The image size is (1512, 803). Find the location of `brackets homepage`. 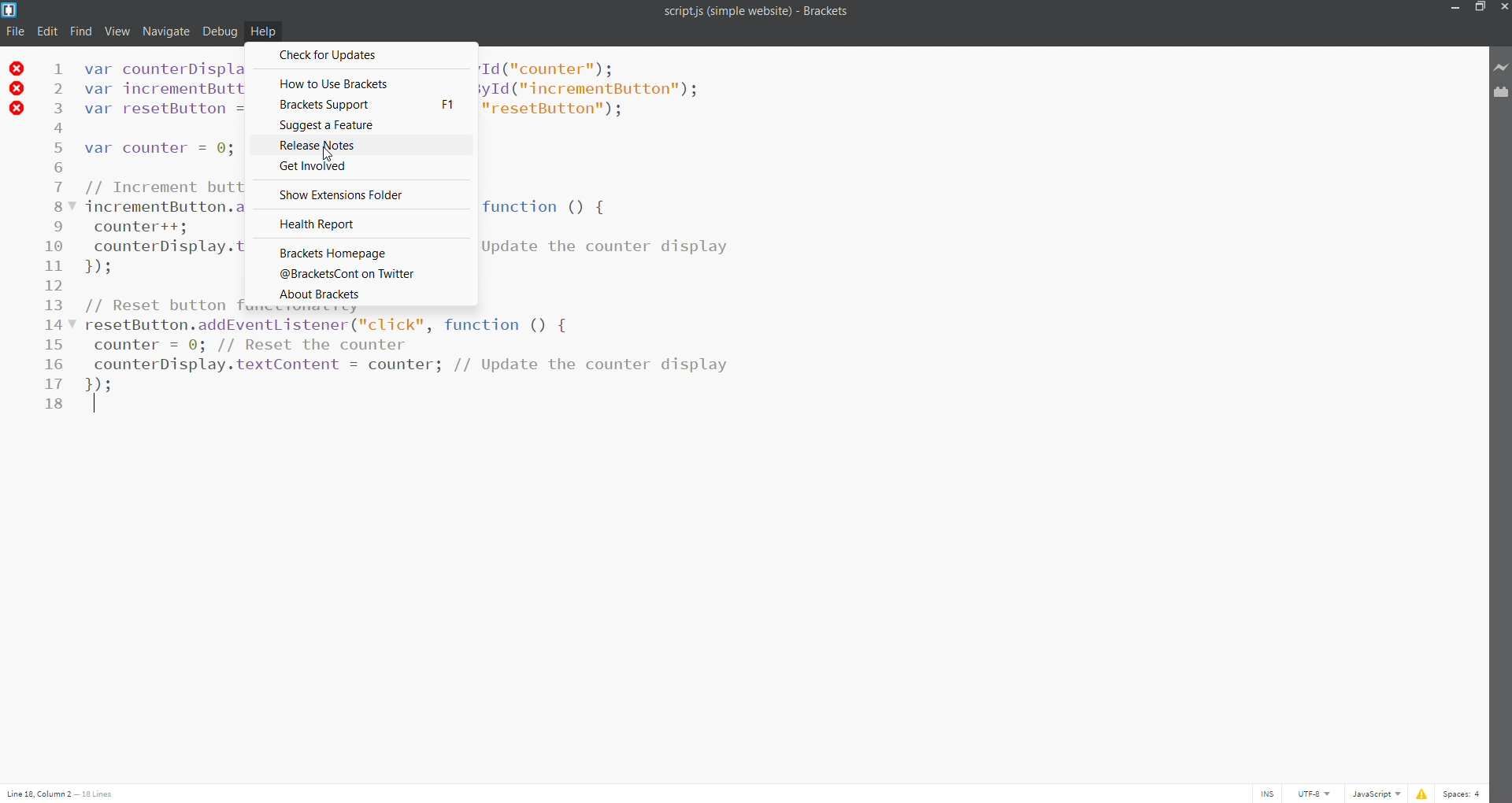

brackets homepage is located at coordinates (358, 250).